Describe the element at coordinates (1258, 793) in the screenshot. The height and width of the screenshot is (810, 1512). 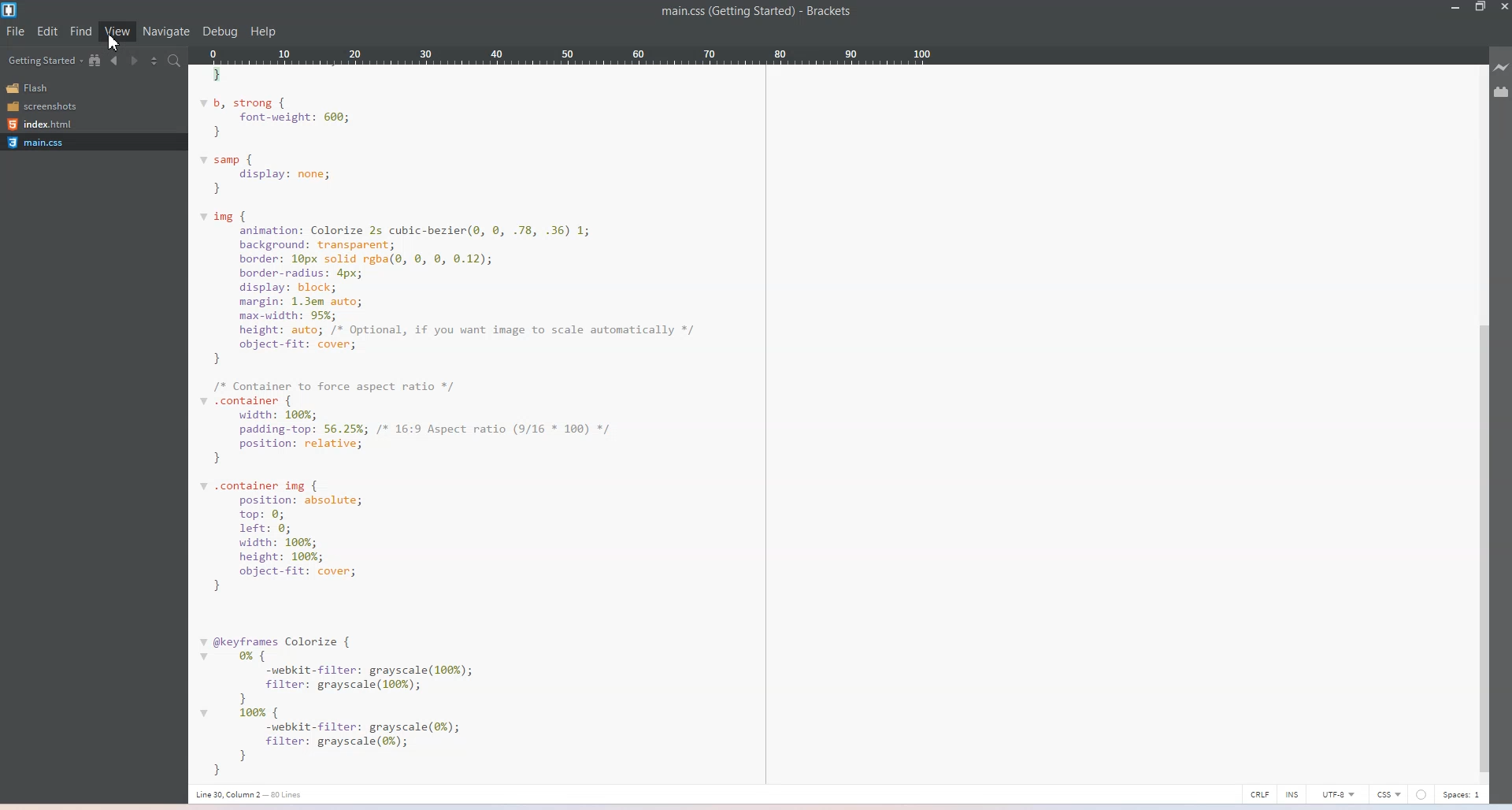
I see `CRLF` at that location.